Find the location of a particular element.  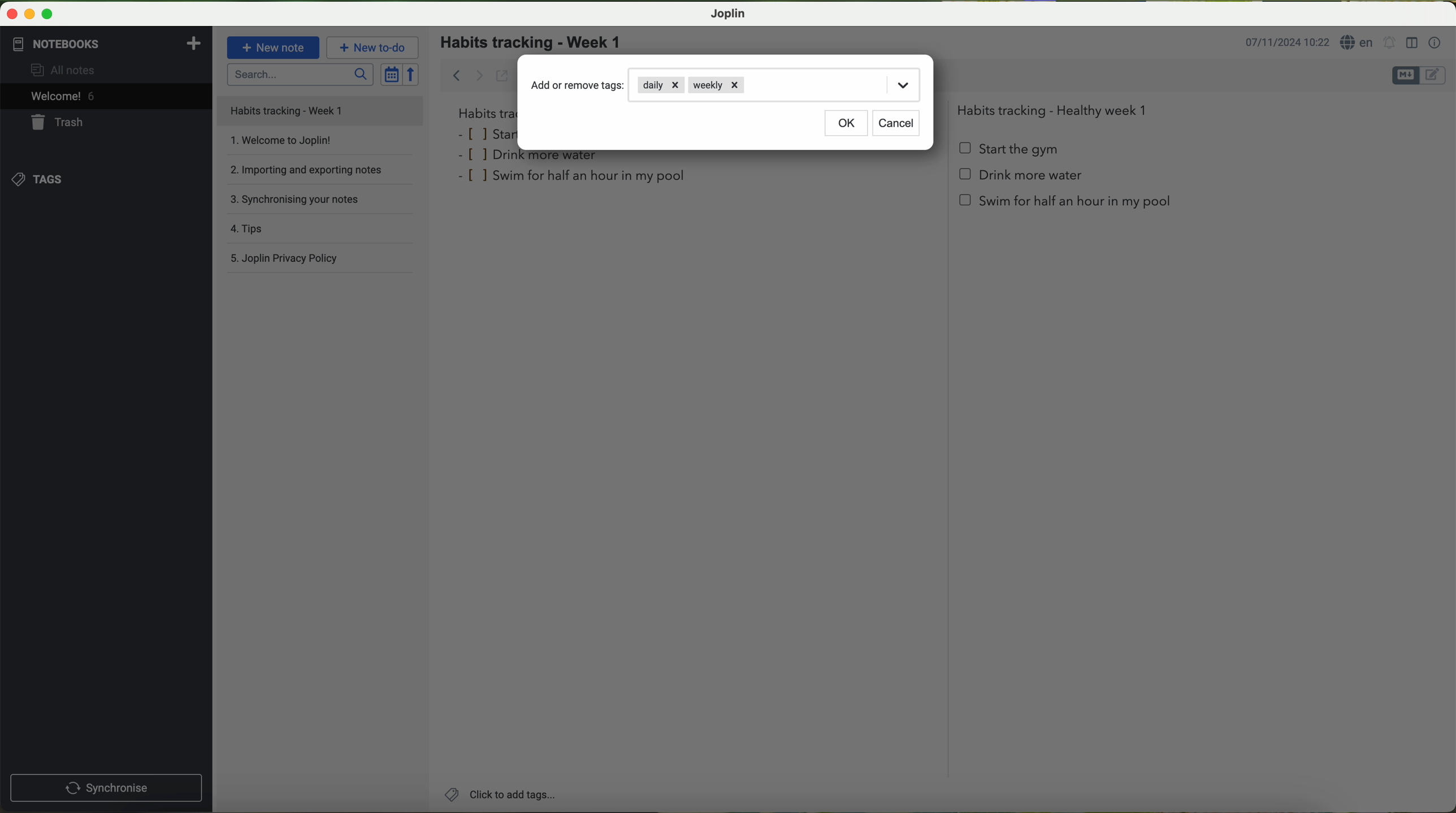

trash is located at coordinates (59, 122).